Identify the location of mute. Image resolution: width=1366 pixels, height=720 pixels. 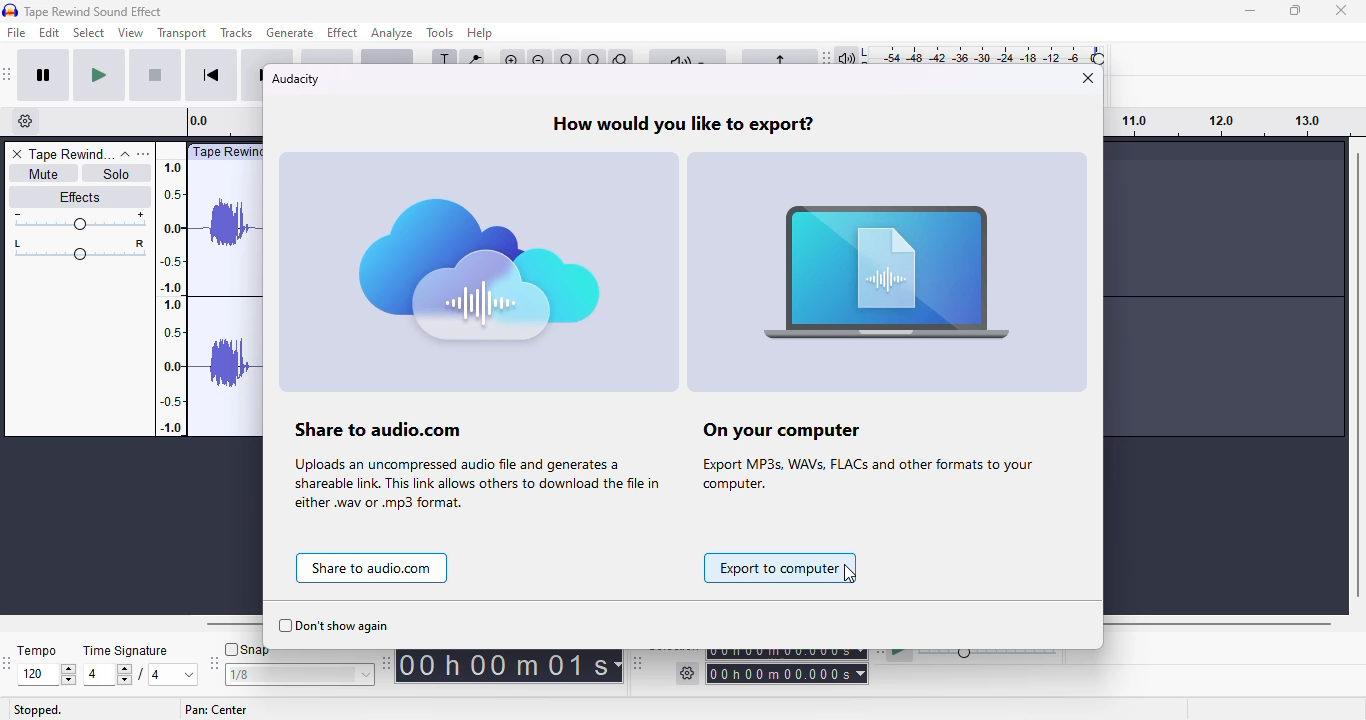
(41, 173).